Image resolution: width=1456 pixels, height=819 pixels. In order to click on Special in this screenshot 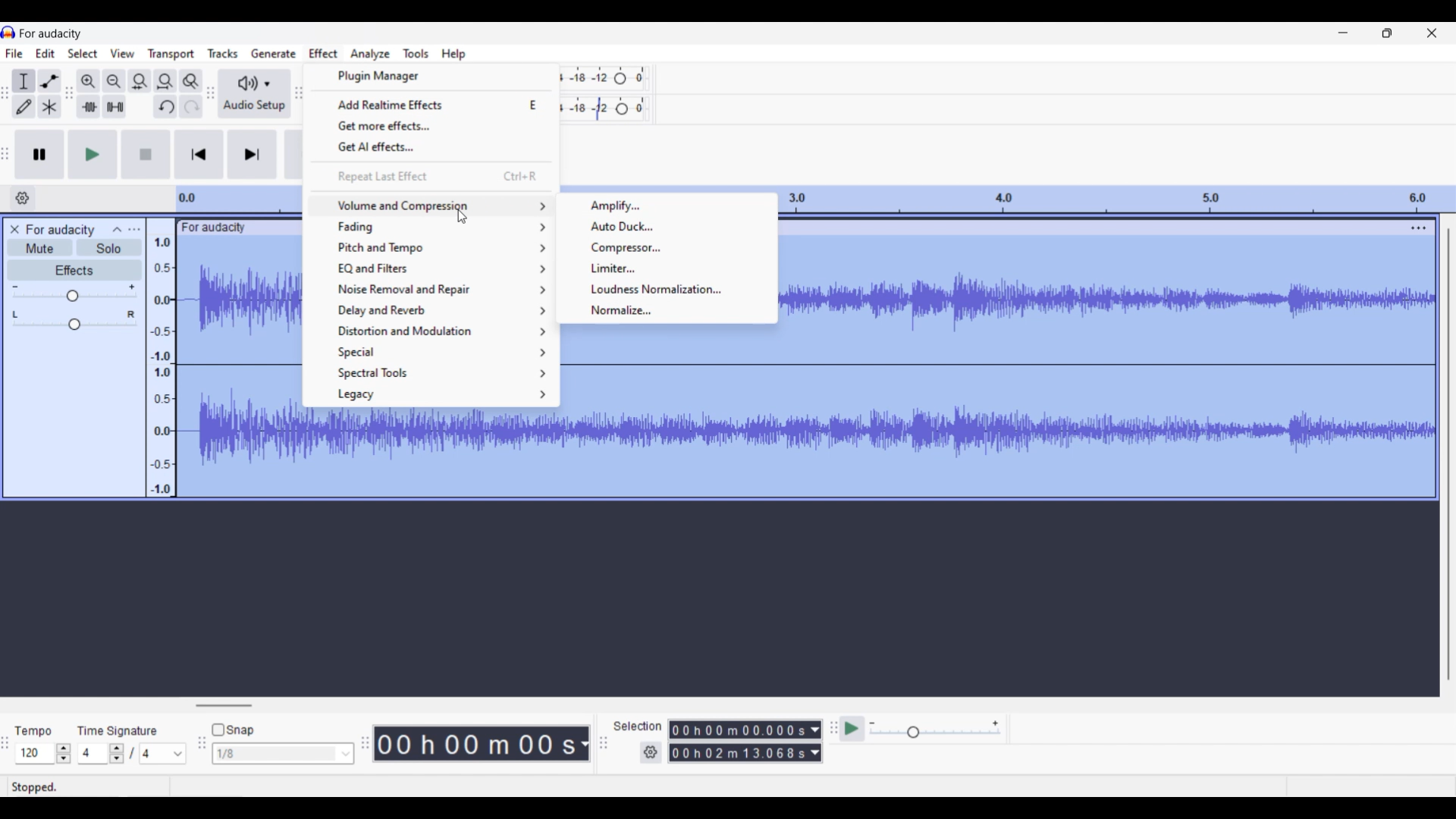, I will do `click(431, 353)`.